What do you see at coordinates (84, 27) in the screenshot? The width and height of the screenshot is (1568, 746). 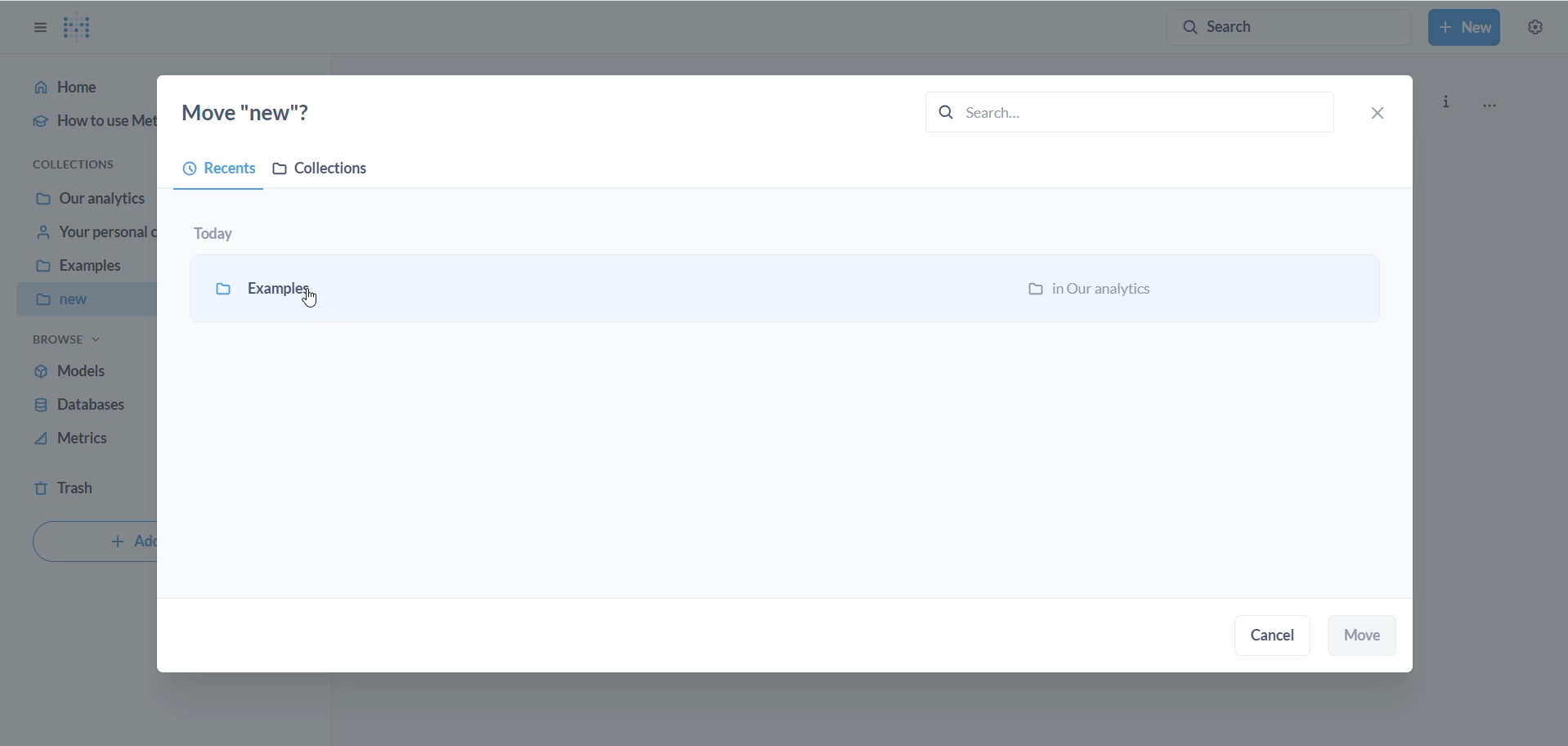 I see `LOGO` at bounding box center [84, 27].